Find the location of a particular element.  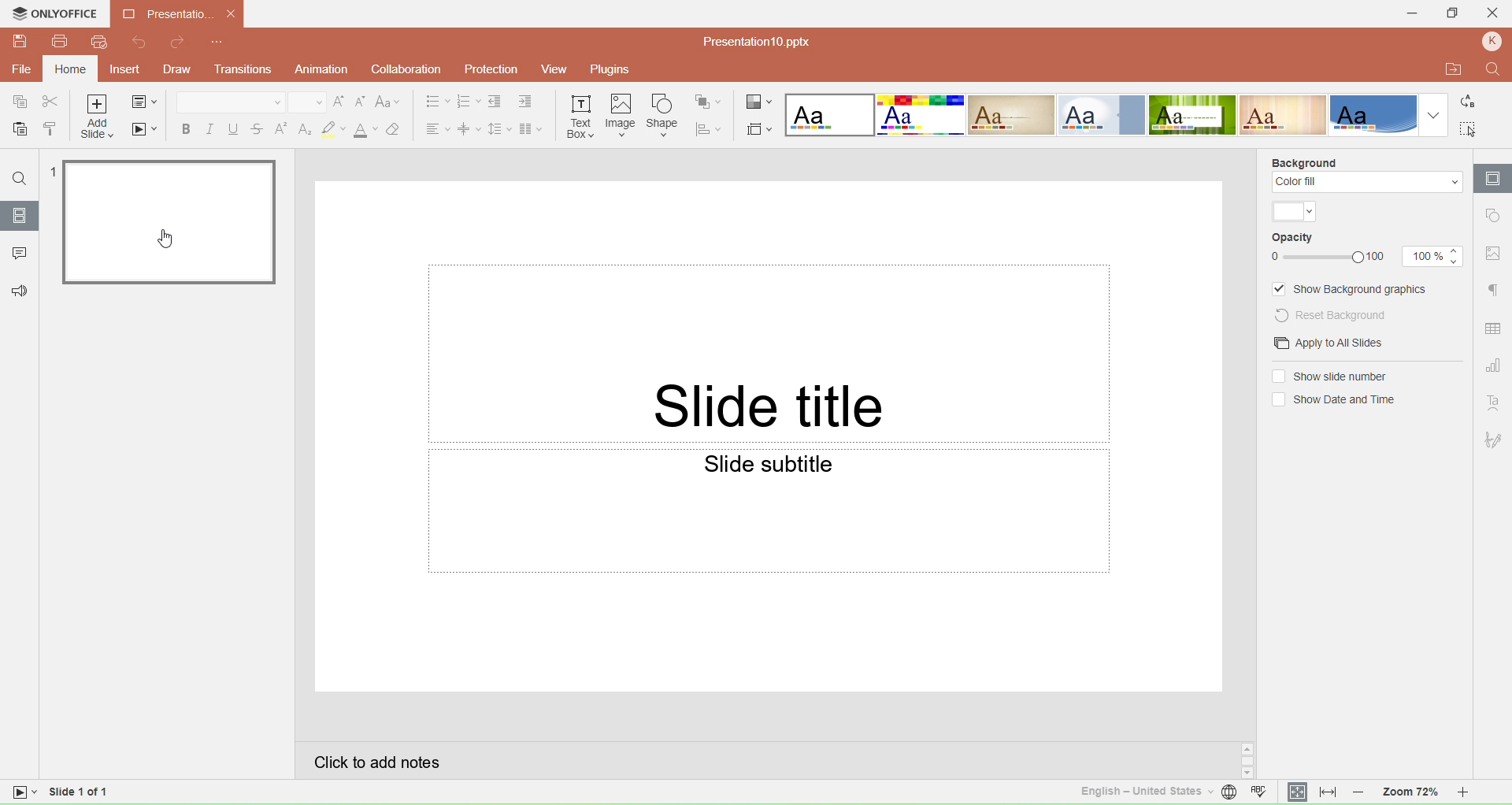

Plugins is located at coordinates (617, 70).